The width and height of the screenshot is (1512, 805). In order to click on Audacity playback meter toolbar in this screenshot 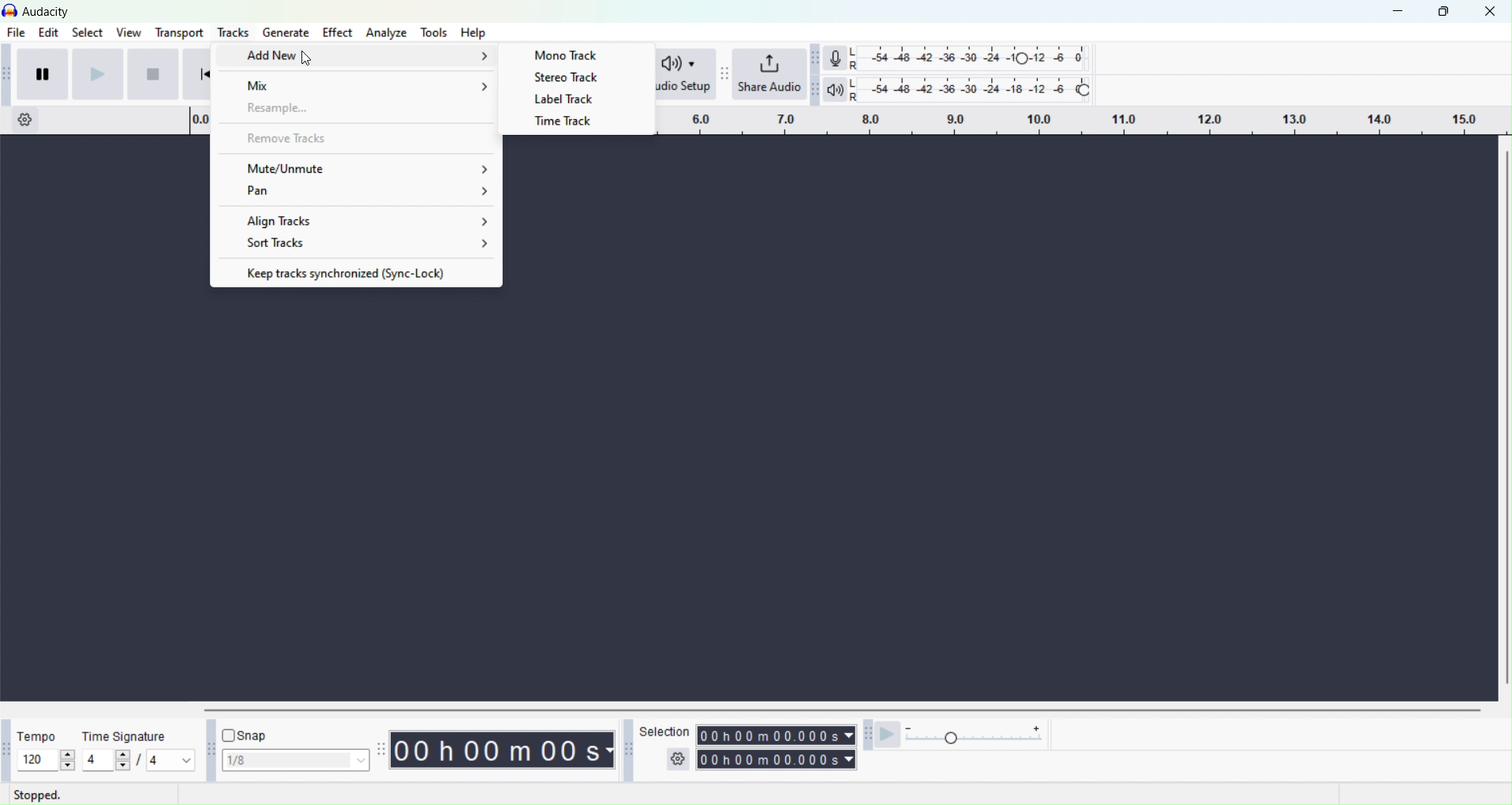, I will do `click(816, 89)`.